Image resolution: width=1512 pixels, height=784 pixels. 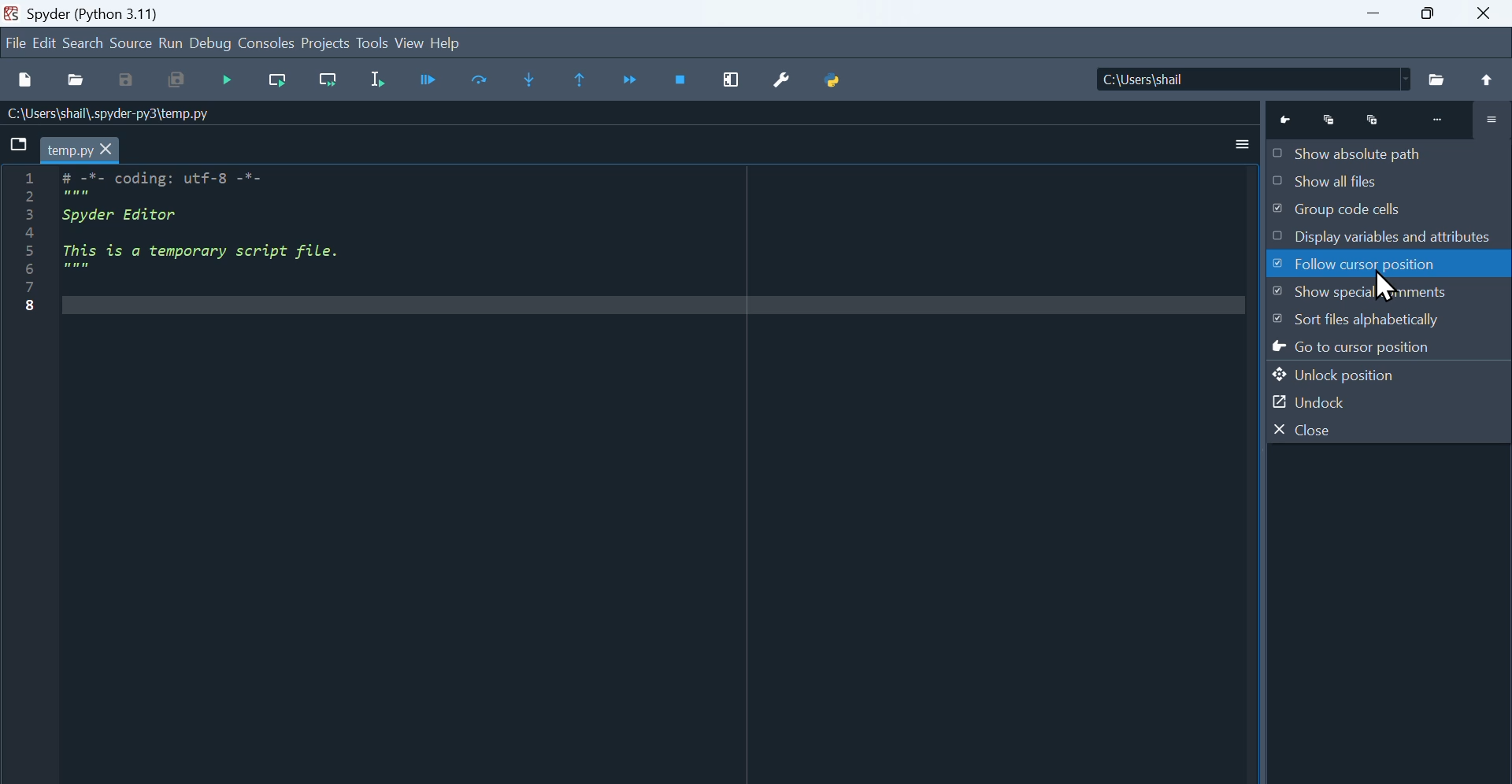 I want to click on Unlock position, so click(x=1365, y=374).